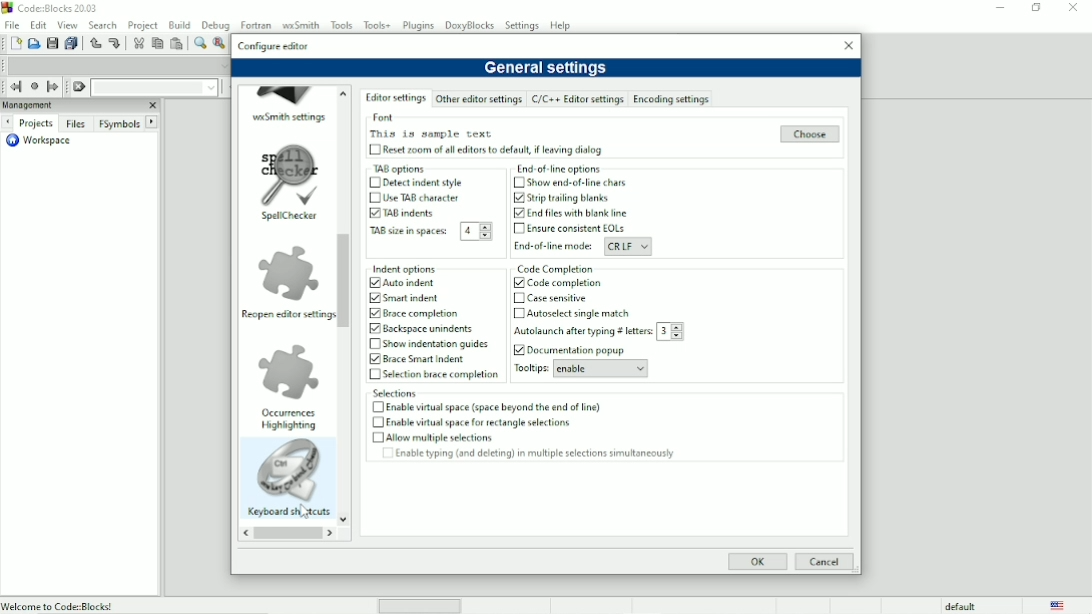  I want to click on Undo, so click(94, 43).